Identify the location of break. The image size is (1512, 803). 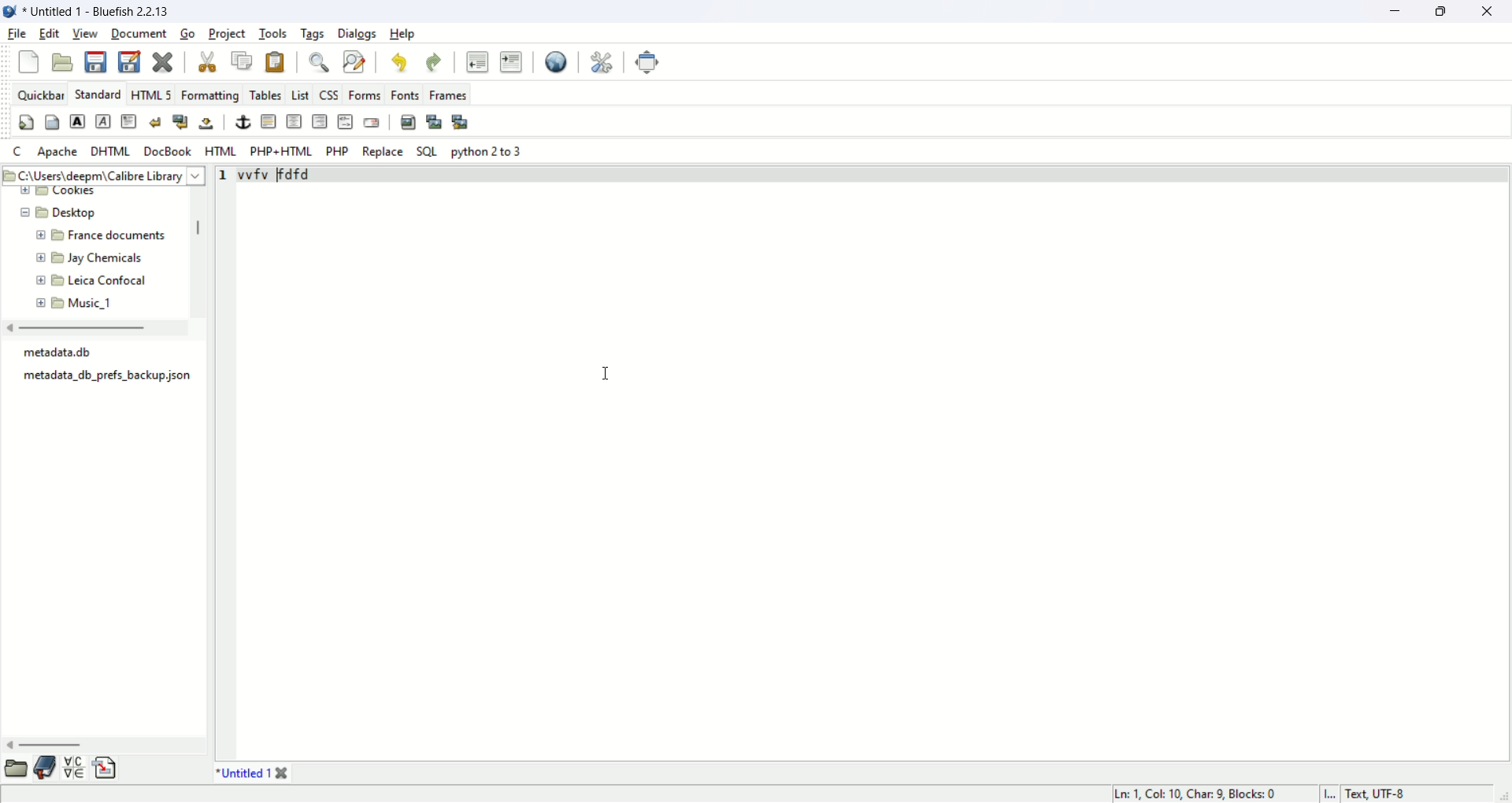
(154, 124).